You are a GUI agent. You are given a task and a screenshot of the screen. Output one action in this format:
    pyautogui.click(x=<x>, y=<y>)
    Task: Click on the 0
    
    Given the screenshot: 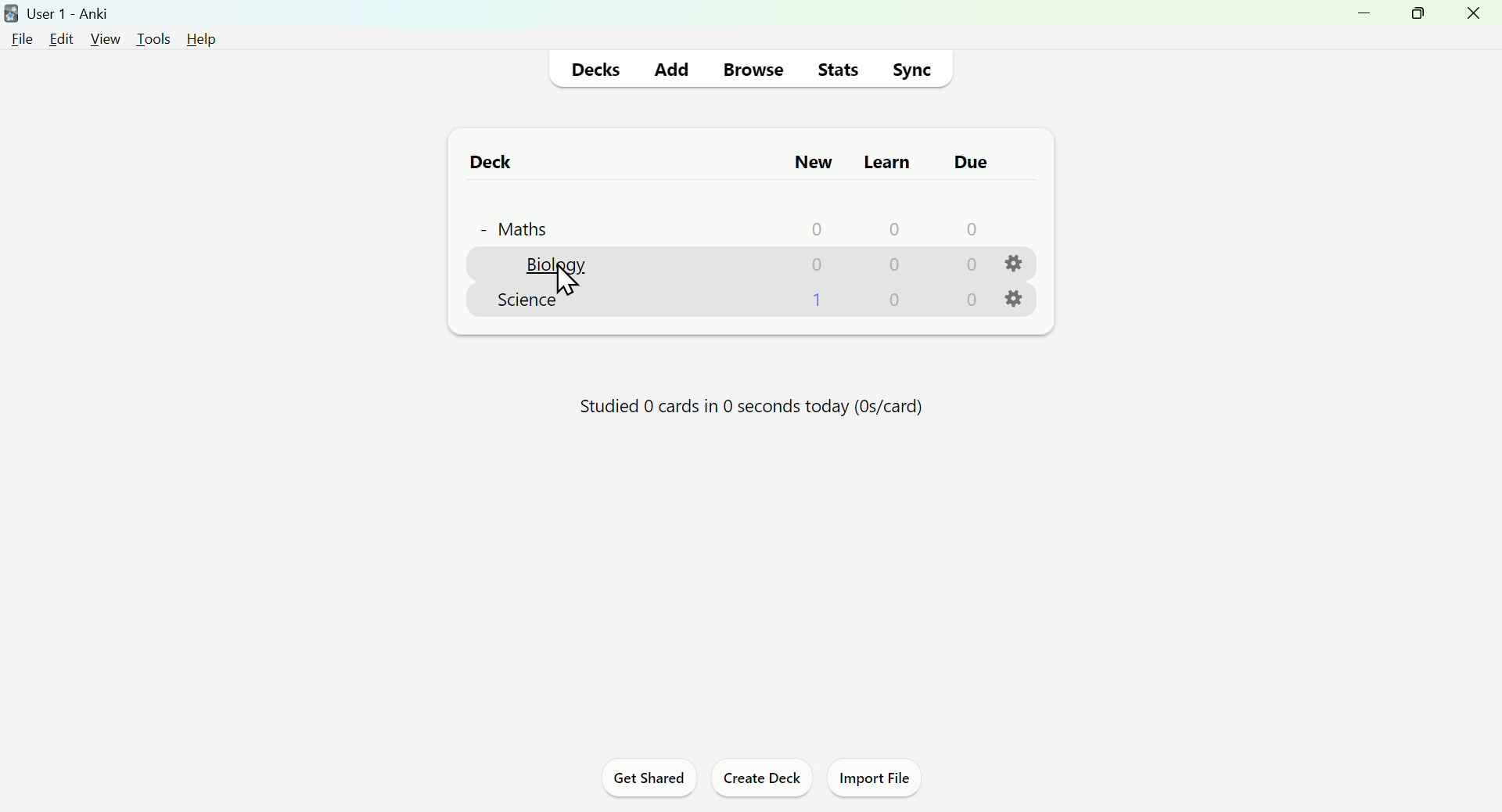 What is the action you would take?
    pyautogui.click(x=810, y=230)
    